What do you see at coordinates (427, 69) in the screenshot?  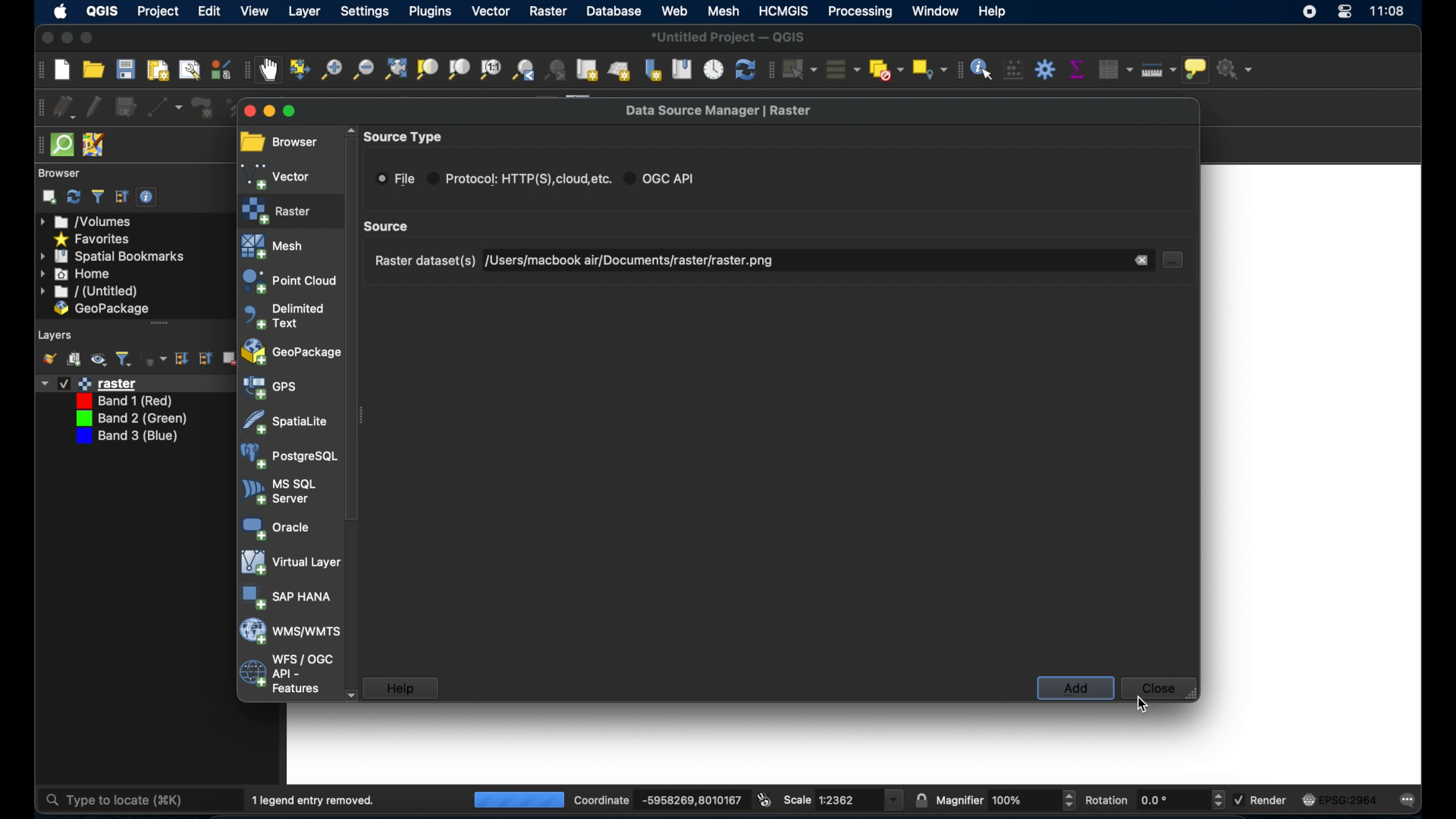 I see `zoom to selection` at bounding box center [427, 69].